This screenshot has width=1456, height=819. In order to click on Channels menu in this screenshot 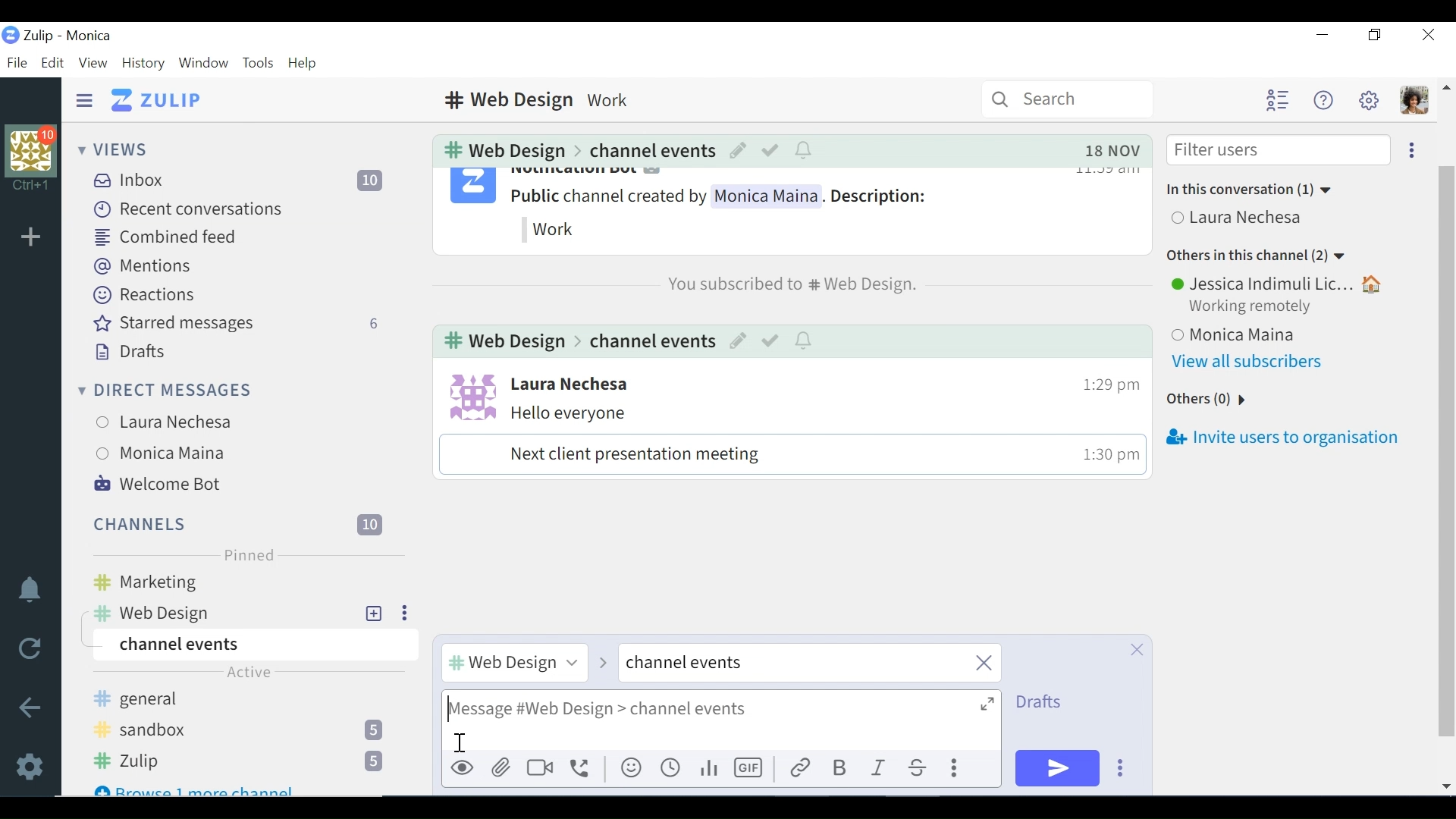, I will do `click(235, 522)`.